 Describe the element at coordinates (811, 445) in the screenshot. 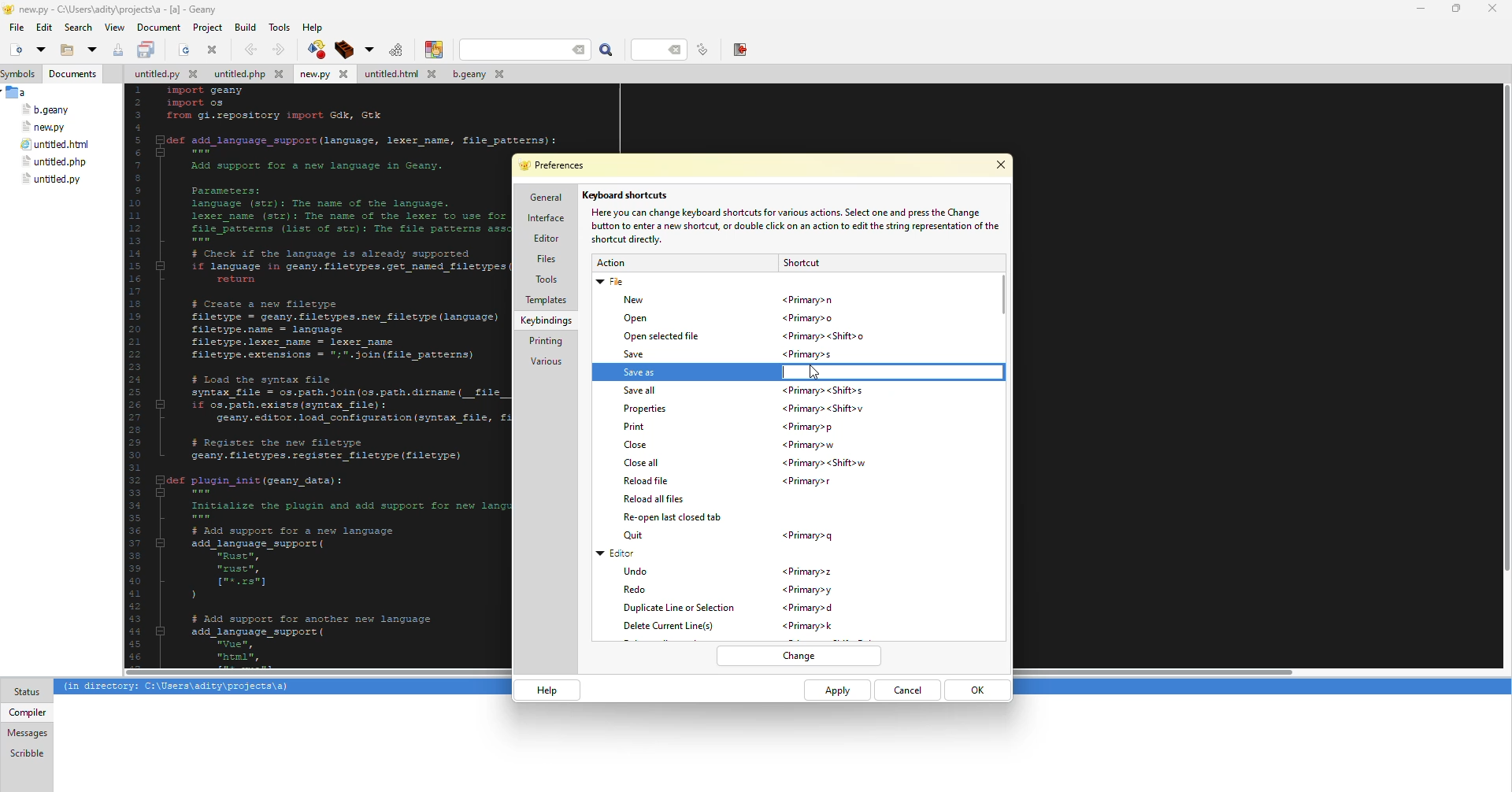

I see `shortcut` at that location.